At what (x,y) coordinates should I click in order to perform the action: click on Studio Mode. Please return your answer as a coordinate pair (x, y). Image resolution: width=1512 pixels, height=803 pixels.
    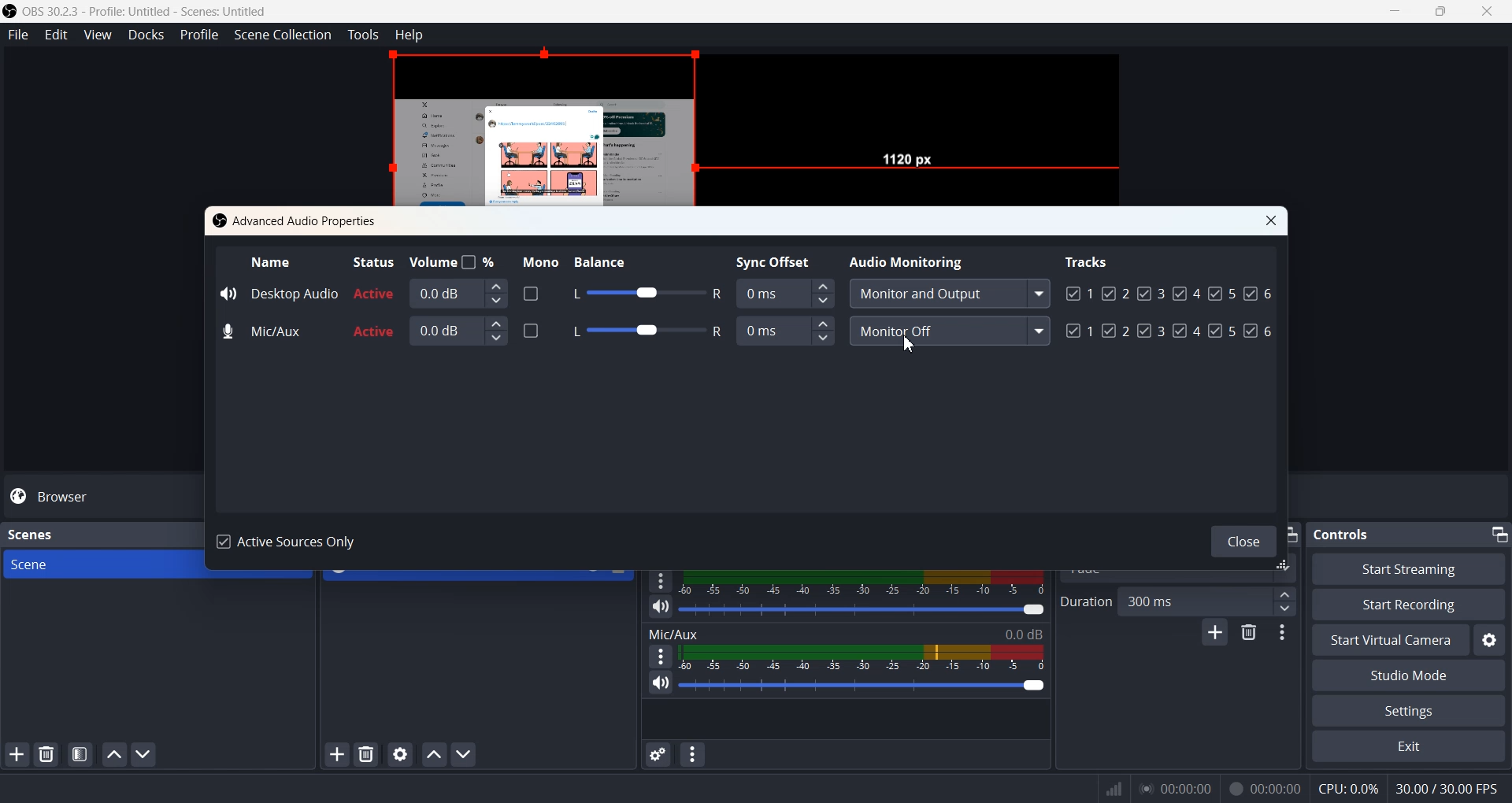
    Looking at the image, I should click on (1408, 676).